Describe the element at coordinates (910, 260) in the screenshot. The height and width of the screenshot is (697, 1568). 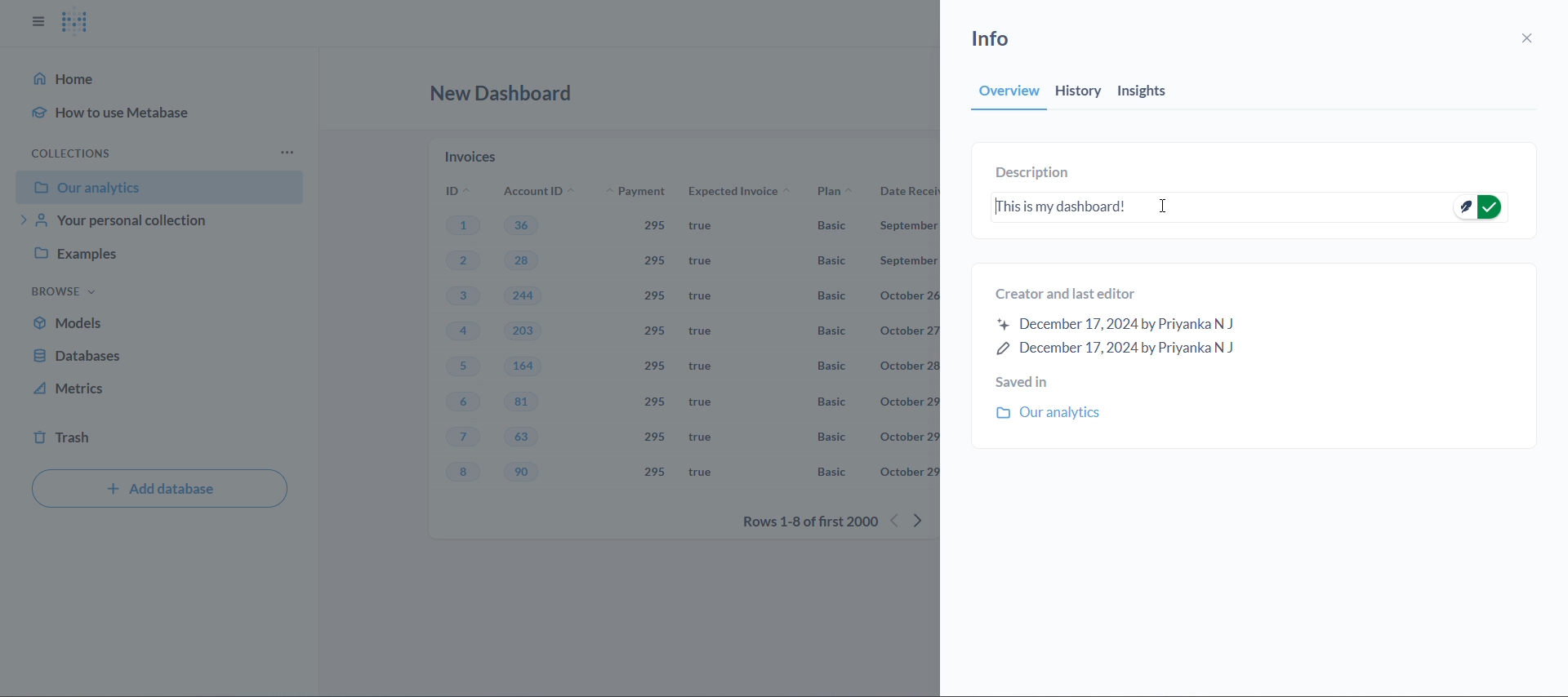
I see `September` at that location.